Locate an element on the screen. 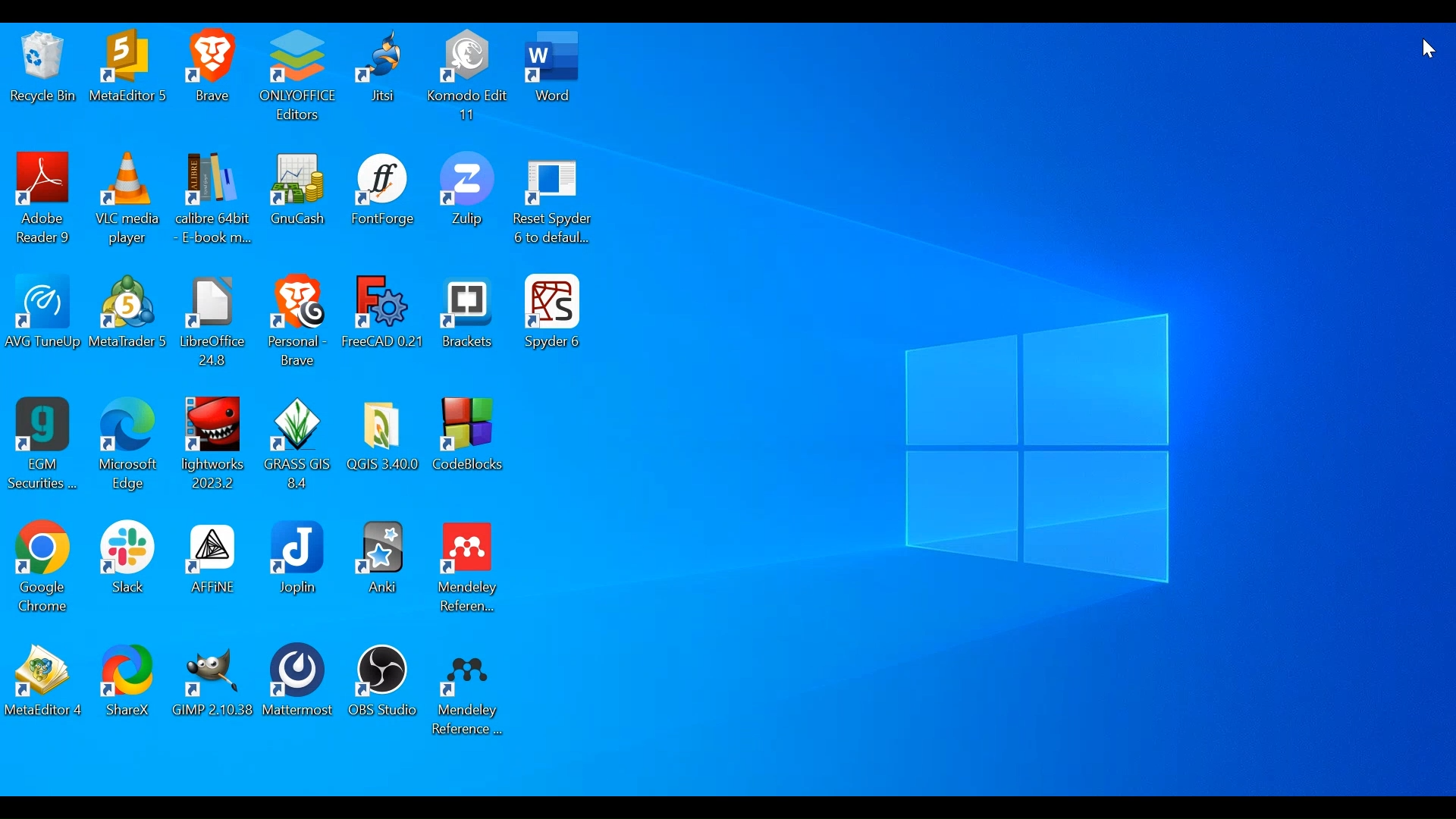 The width and height of the screenshot is (1456, 819). Brackets is located at coordinates (467, 322).